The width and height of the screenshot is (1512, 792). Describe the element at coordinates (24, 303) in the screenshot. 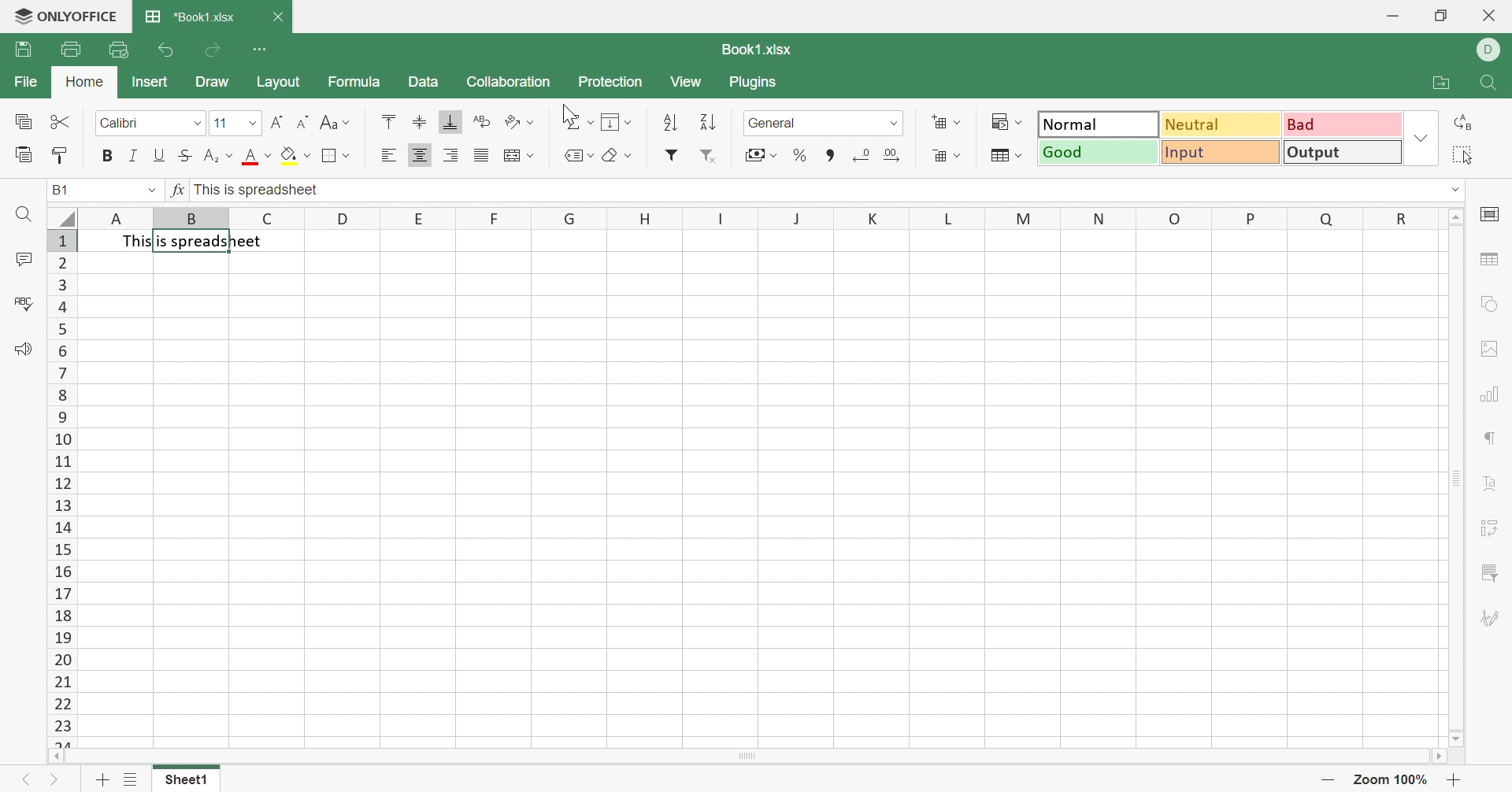

I see `Check Spelling` at that location.